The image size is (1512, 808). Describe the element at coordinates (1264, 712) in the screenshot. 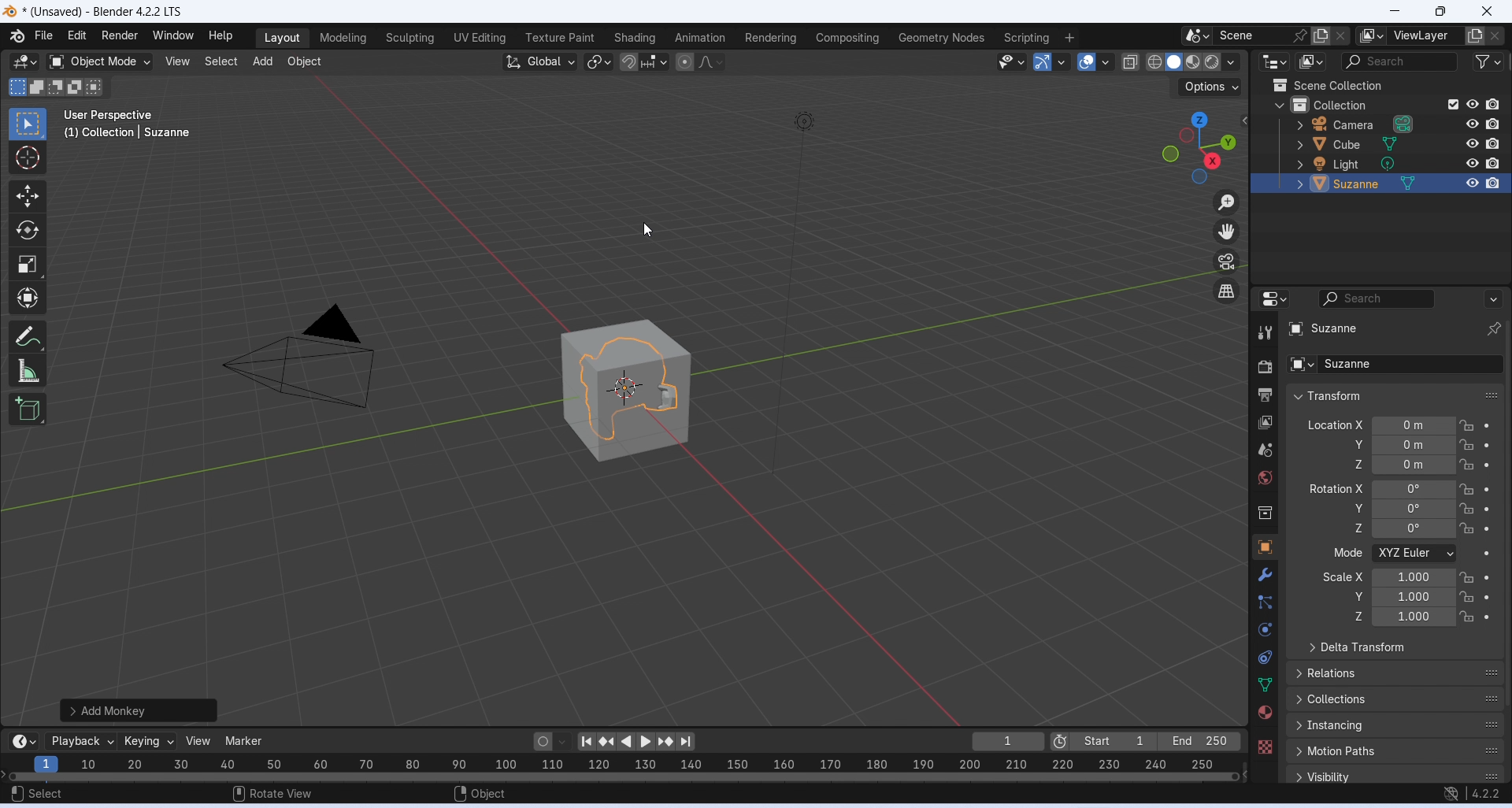

I see `material` at that location.